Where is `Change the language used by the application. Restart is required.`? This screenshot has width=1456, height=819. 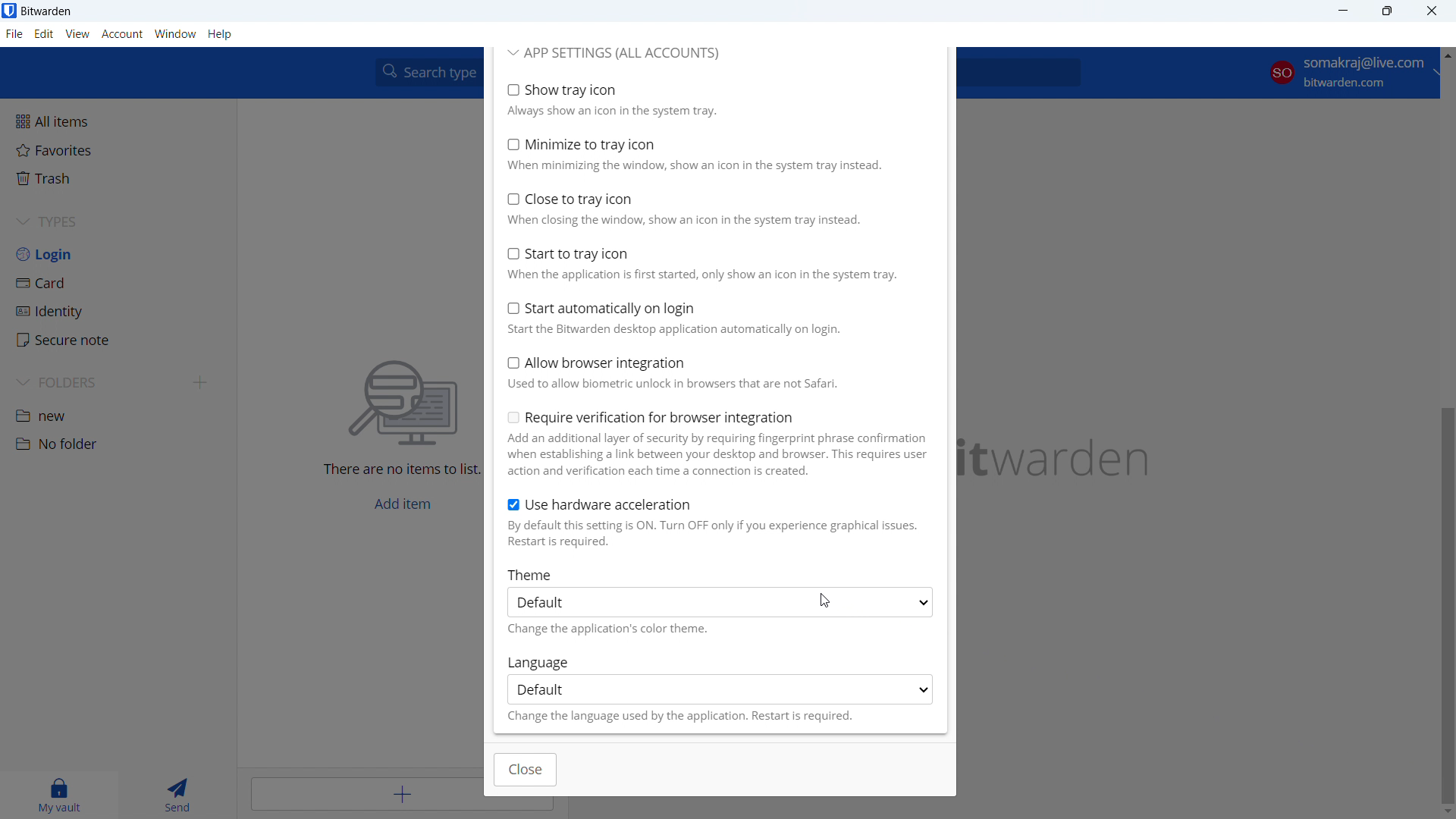
Change the language used by the application. Restart is required. is located at coordinates (682, 719).